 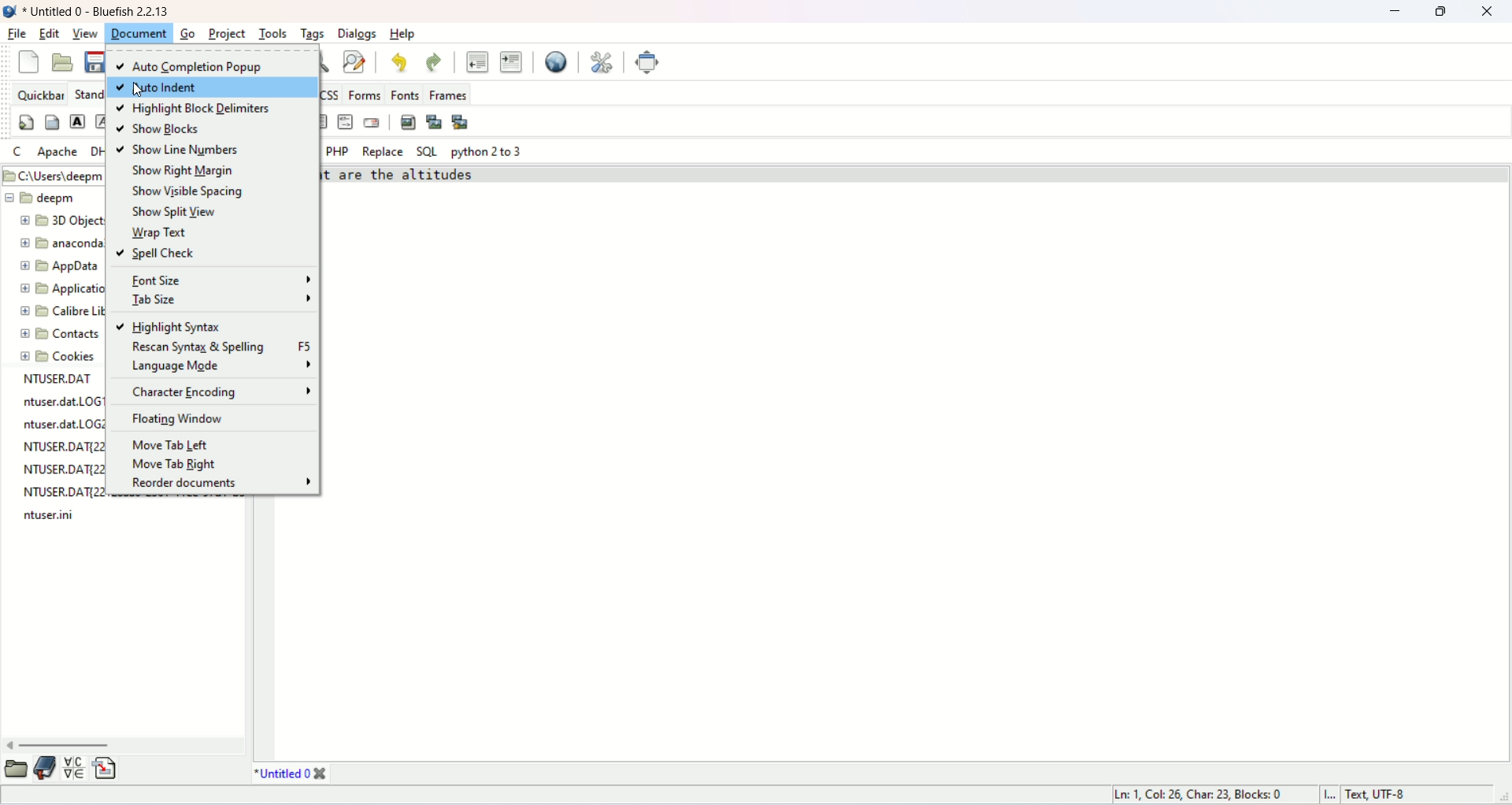 I want to click on show viable spacing, so click(x=191, y=191).